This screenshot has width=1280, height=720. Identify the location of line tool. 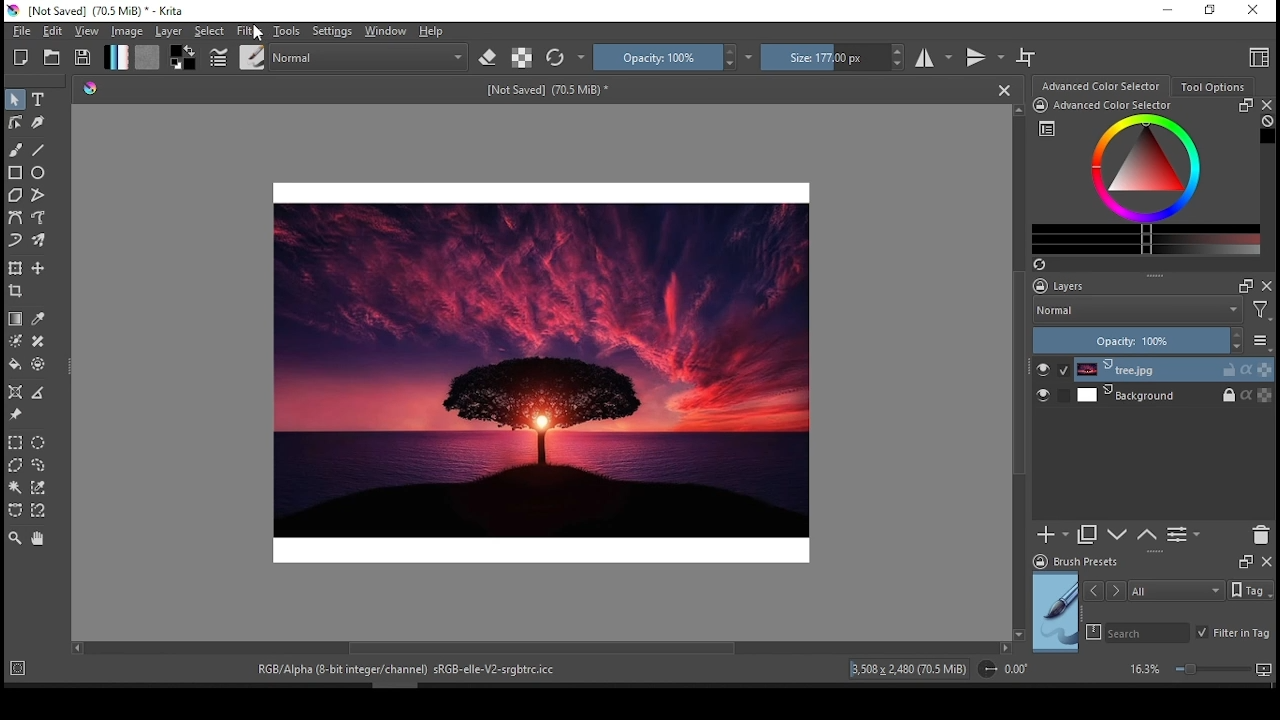
(39, 149).